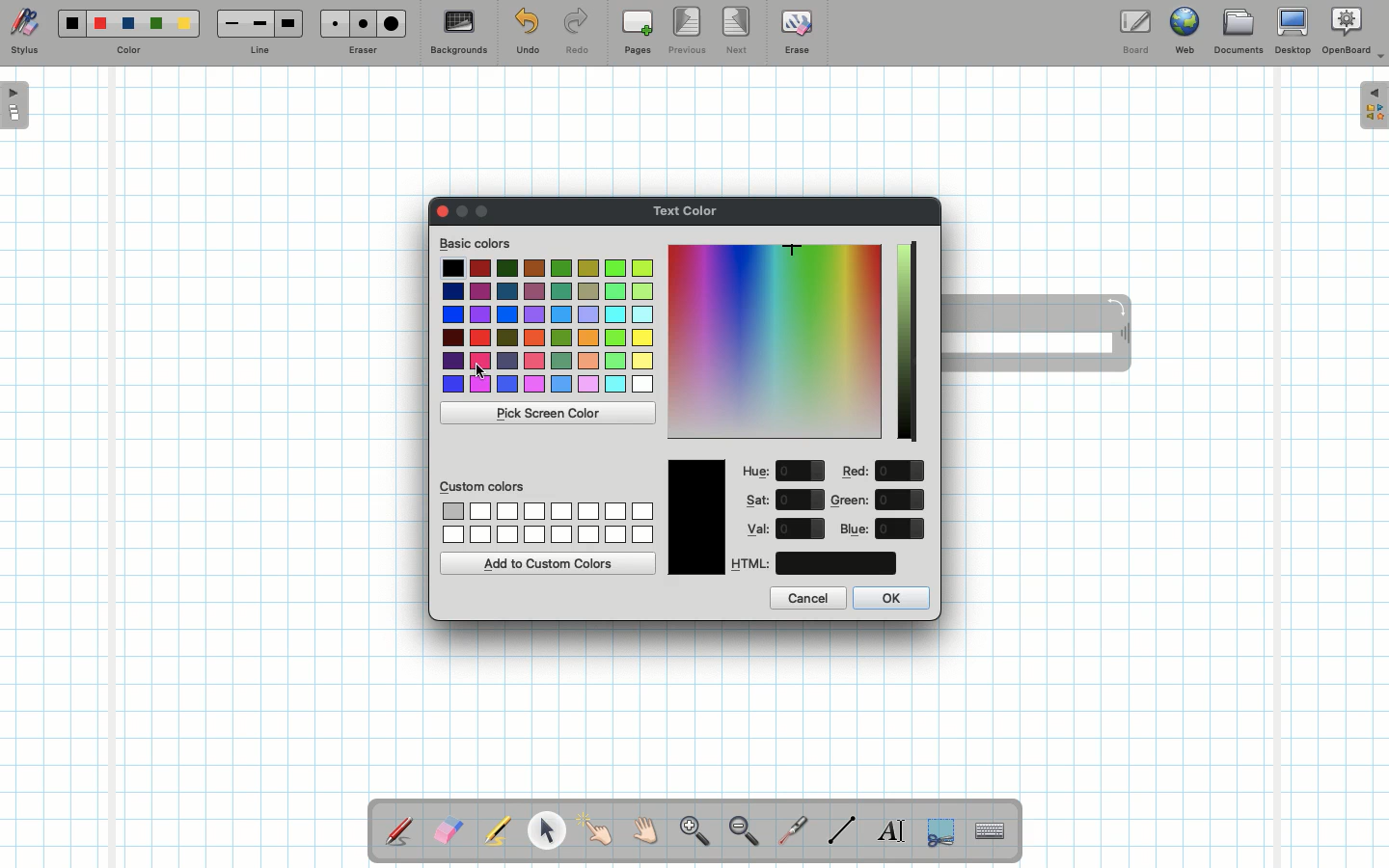  I want to click on Previous, so click(689, 32).